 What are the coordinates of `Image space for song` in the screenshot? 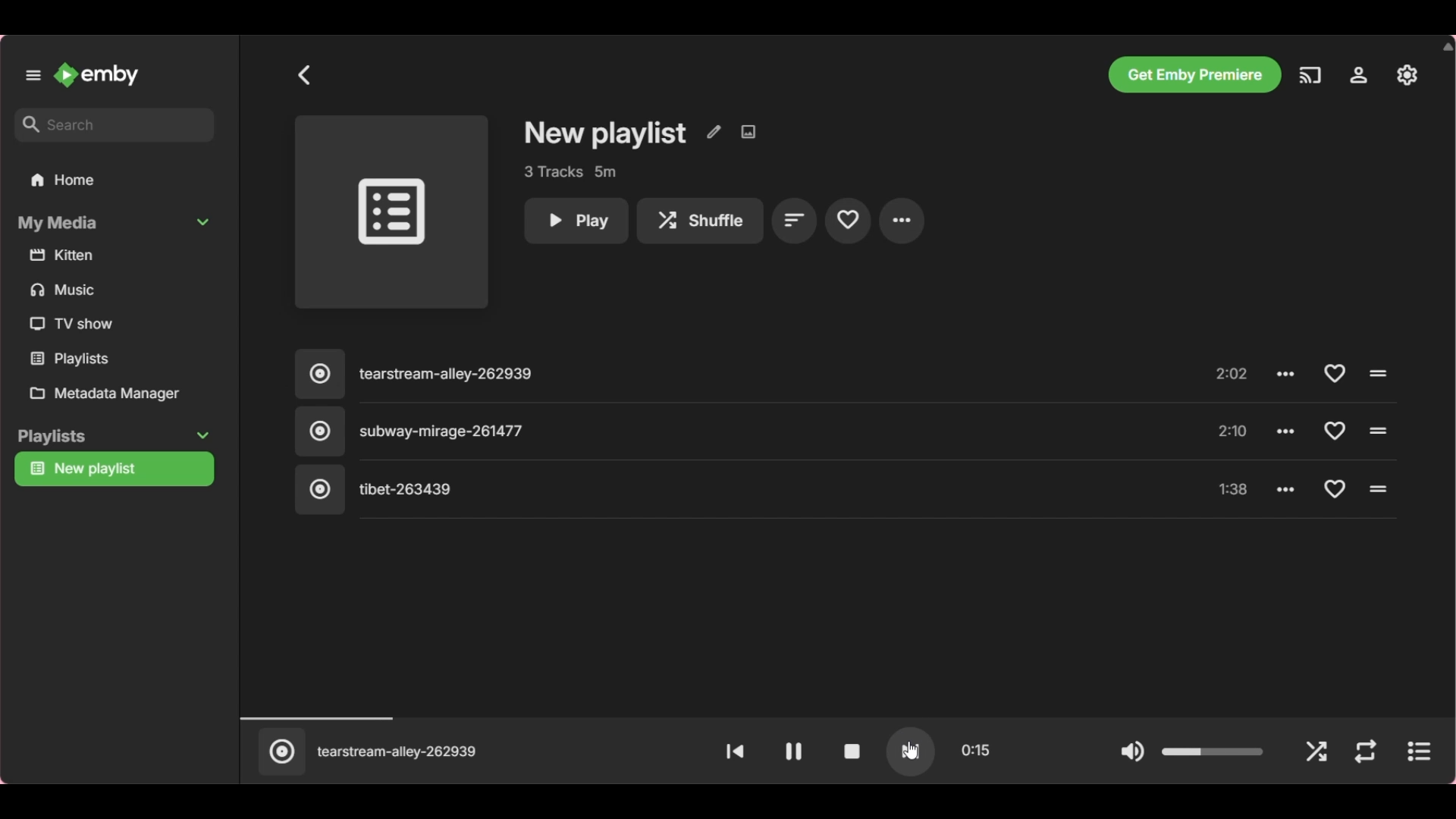 It's located at (392, 211).